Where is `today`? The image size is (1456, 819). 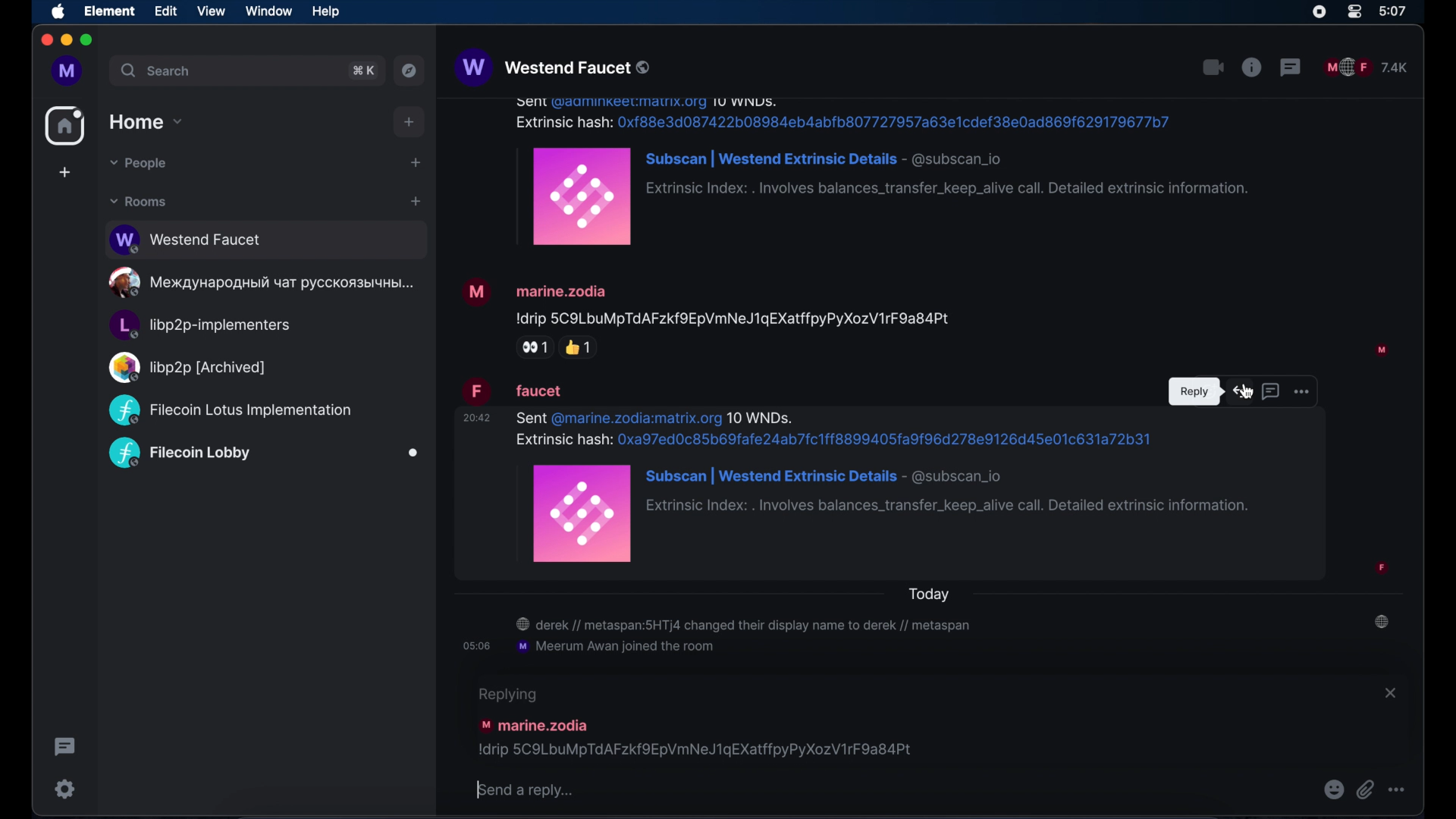
today is located at coordinates (931, 593).